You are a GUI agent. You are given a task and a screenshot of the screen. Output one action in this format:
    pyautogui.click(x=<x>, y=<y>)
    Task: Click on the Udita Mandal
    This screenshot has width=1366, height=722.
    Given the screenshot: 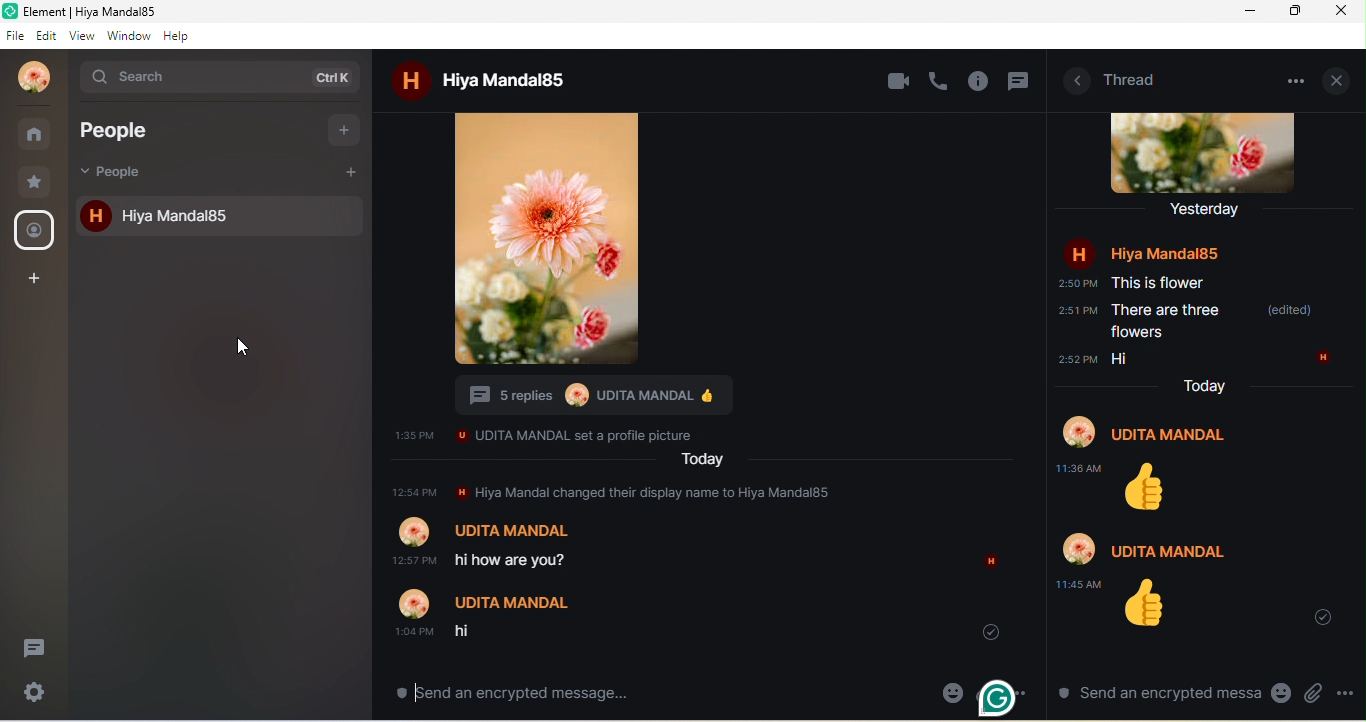 What is the action you would take?
    pyautogui.click(x=506, y=530)
    